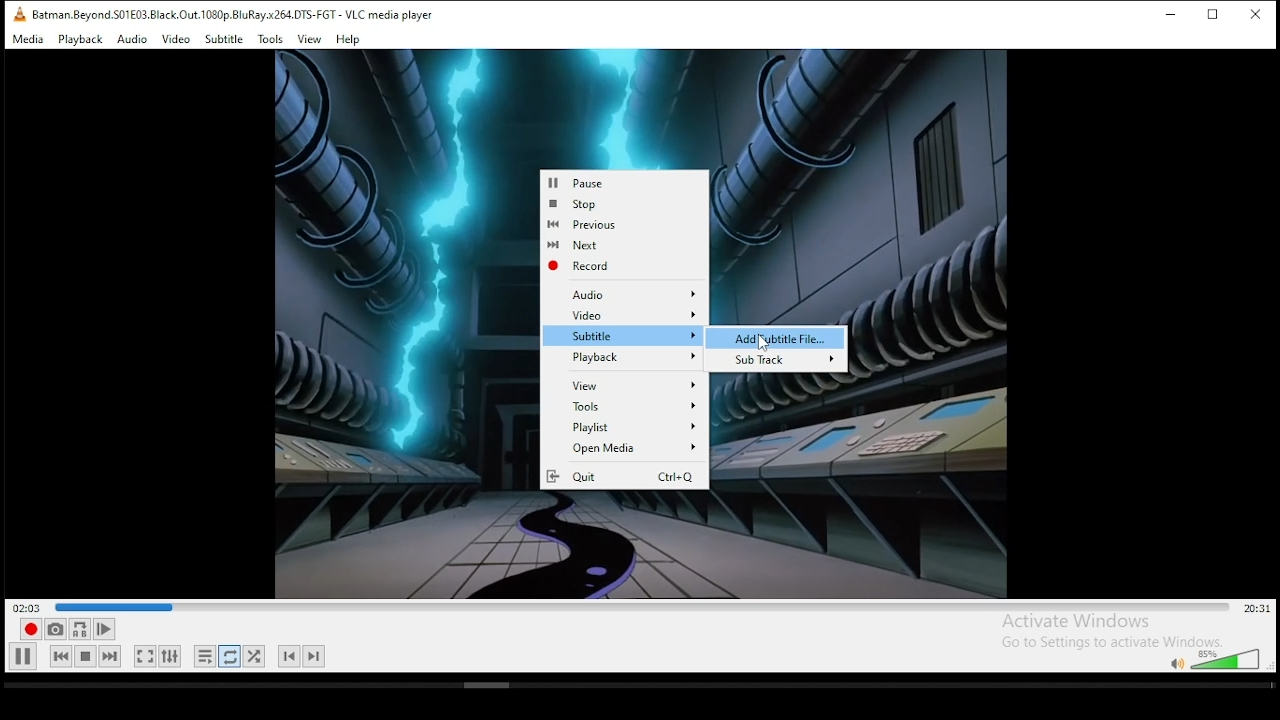 Image resolution: width=1280 pixels, height=720 pixels. I want to click on previous chapter, so click(289, 656).